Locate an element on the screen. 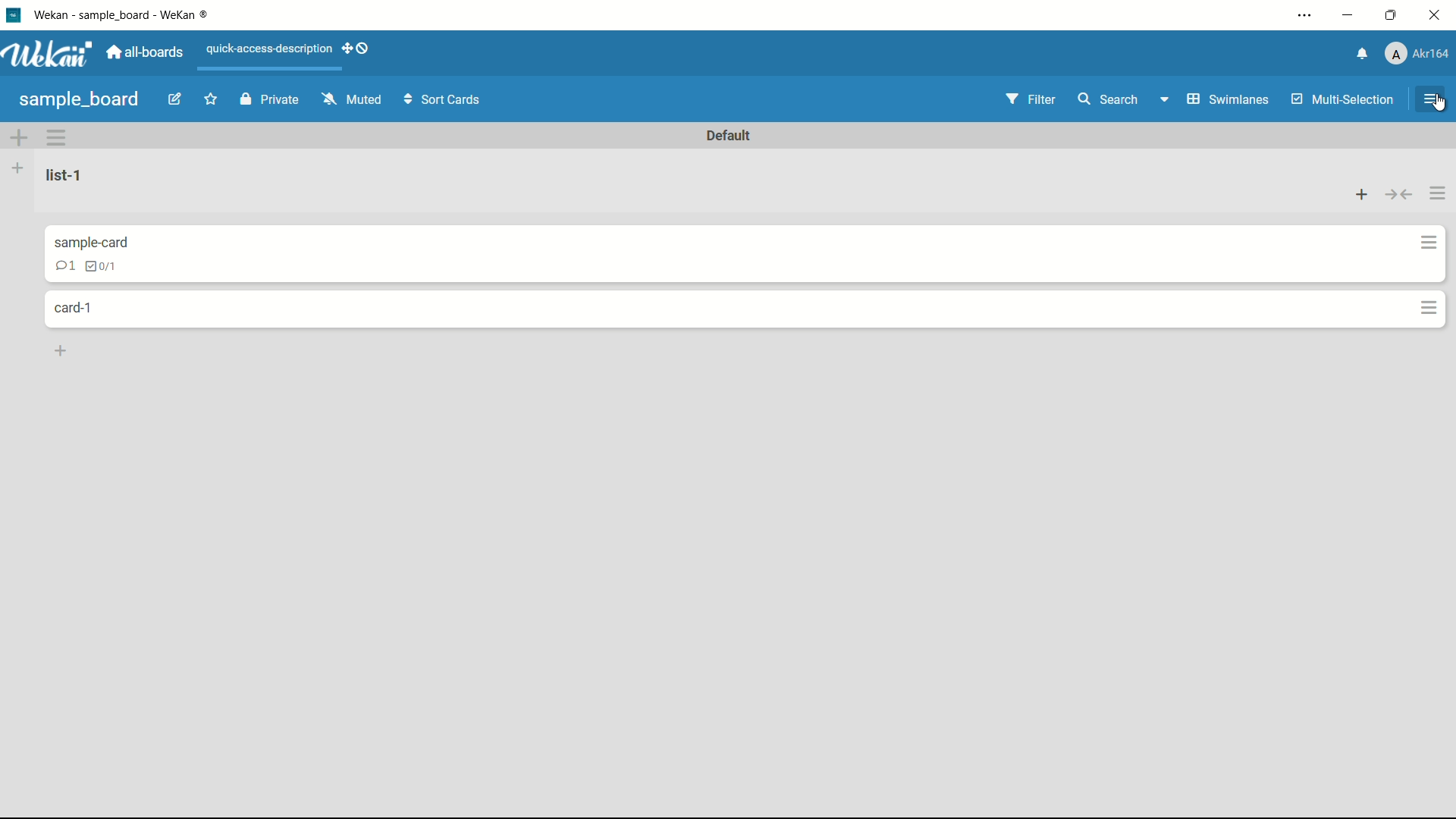 This screenshot has height=819, width=1456. app icon is located at coordinates (14, 15).